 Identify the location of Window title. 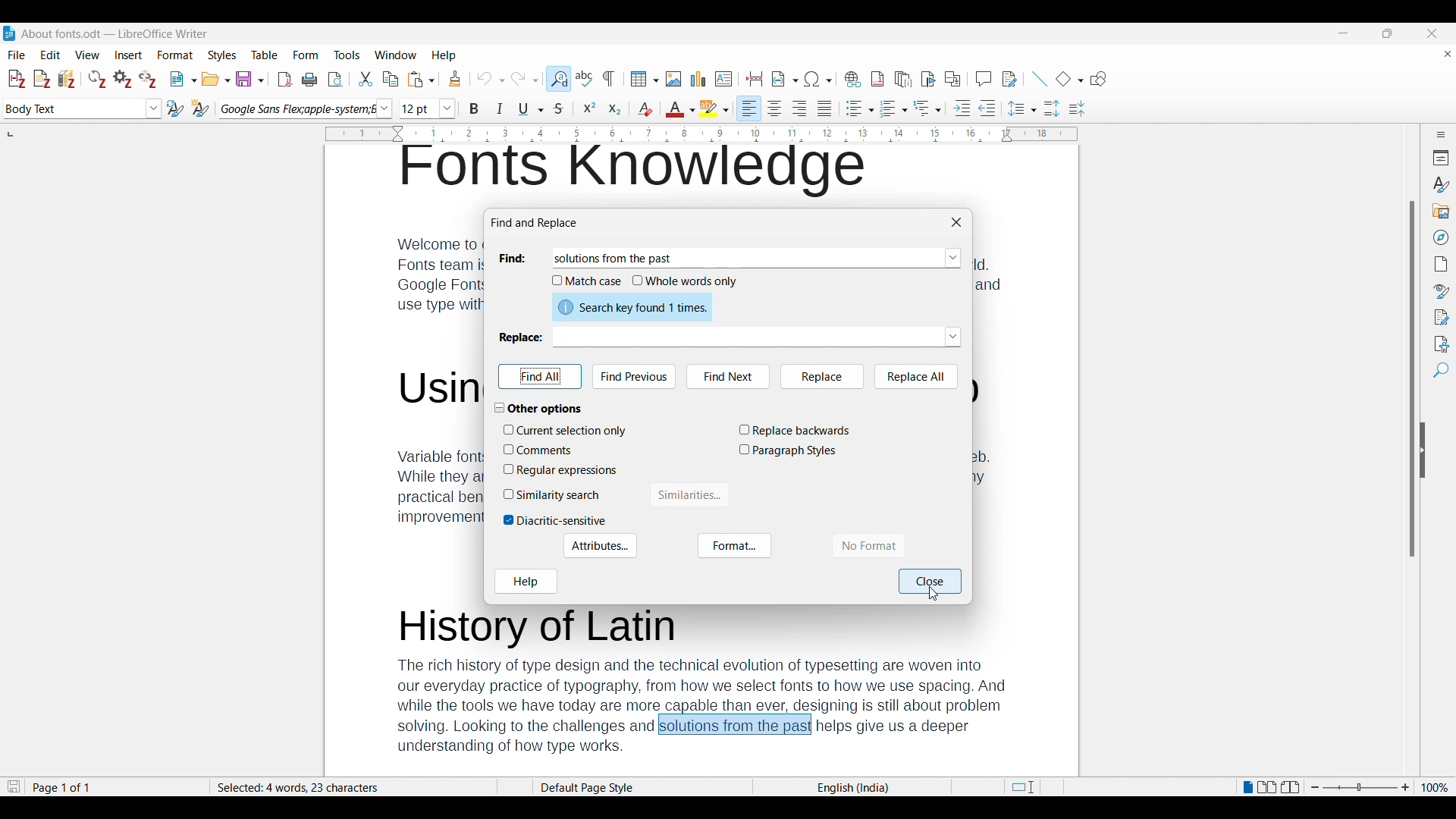
(535, 223).